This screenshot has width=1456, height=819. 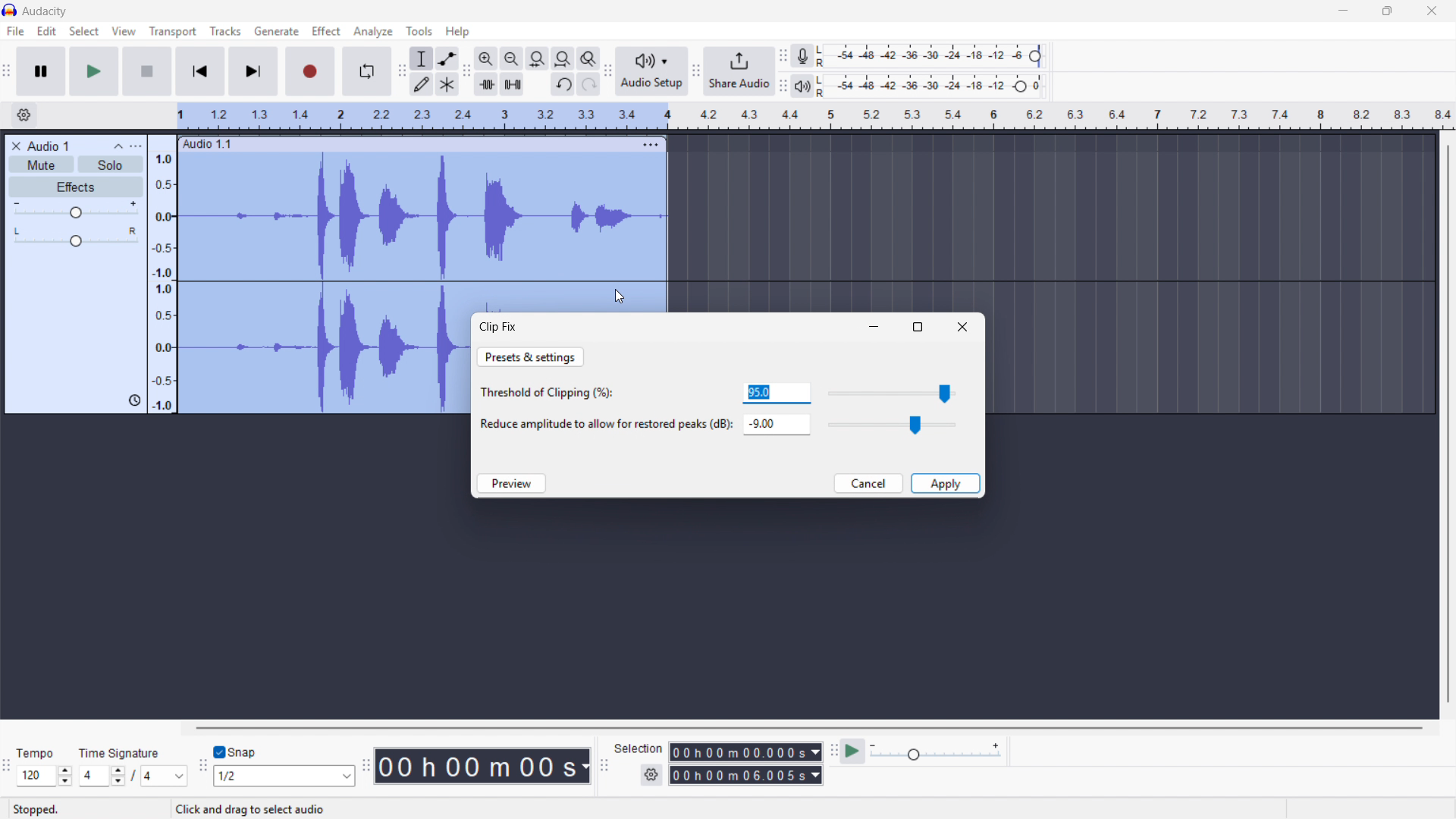 What do you see at coordinates (554, 394) in the screenshot?
I see `threshold of clipping` at bounding box center [554, 394].